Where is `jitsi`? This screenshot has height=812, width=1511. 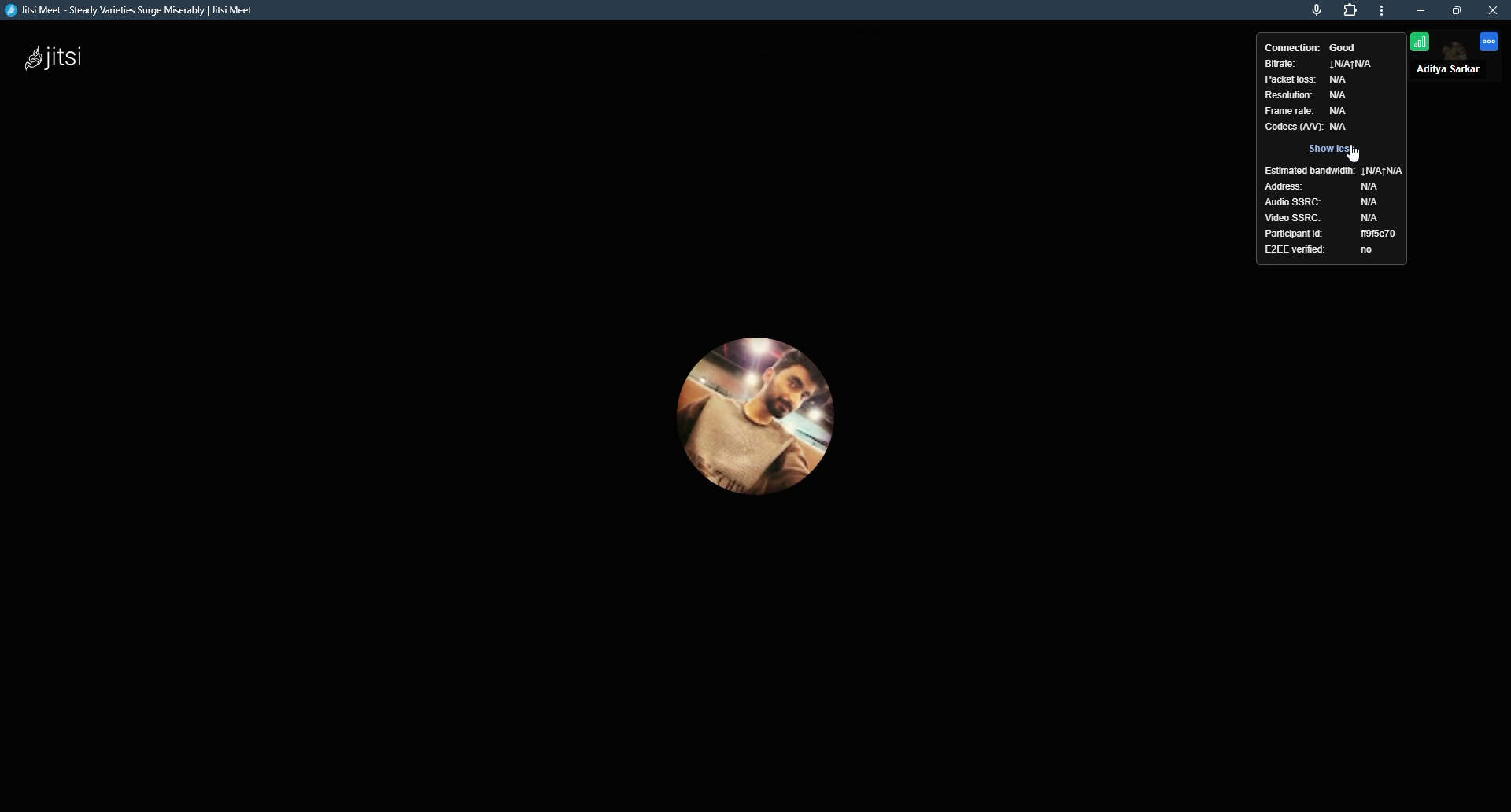 jitsi is located at coordinates (65, 64).